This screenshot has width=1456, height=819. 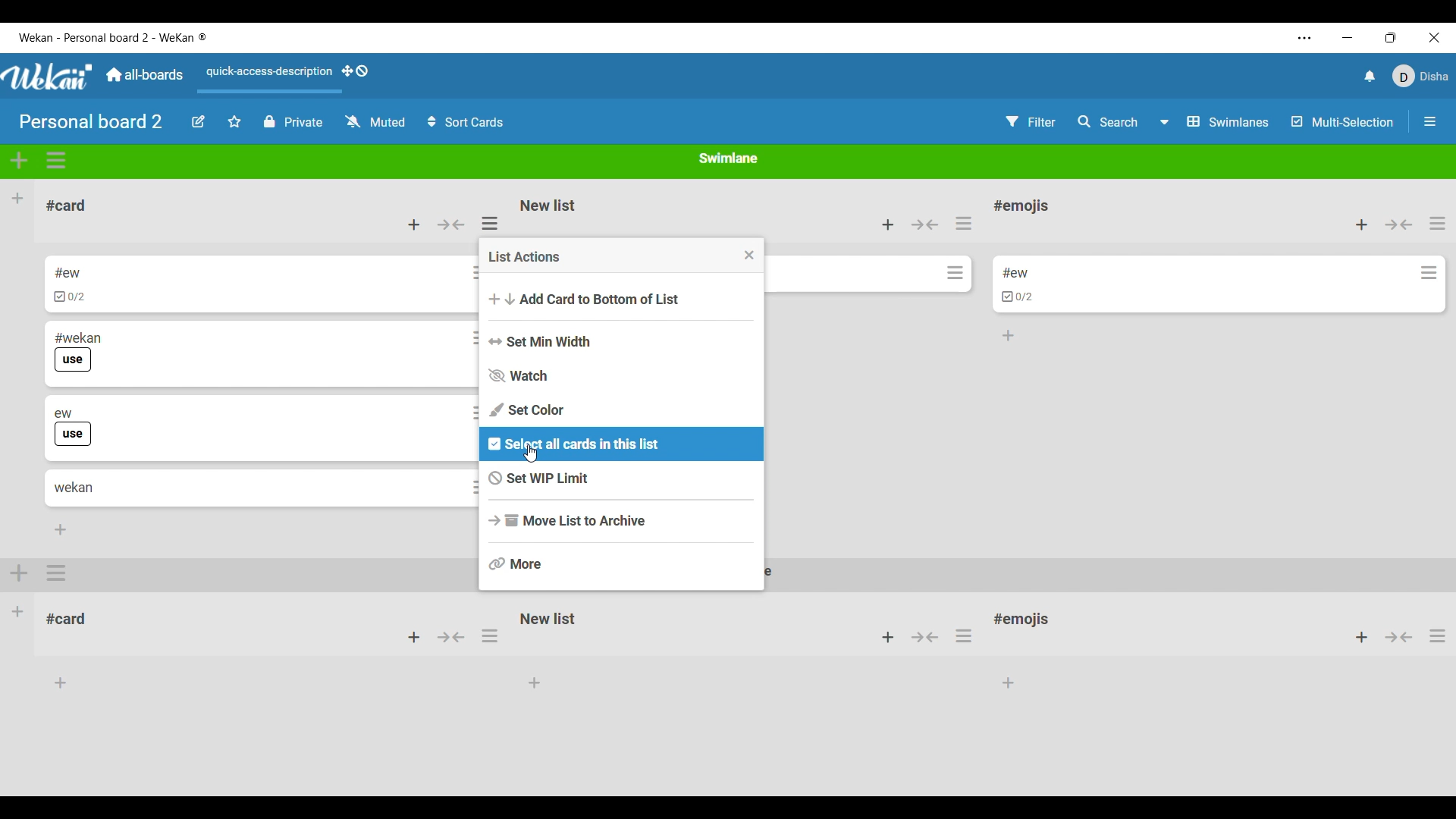 What do you see at coordinates (524, 256) in the screenshot?
I see `Title of current menu` at bounding box center [524, 256].